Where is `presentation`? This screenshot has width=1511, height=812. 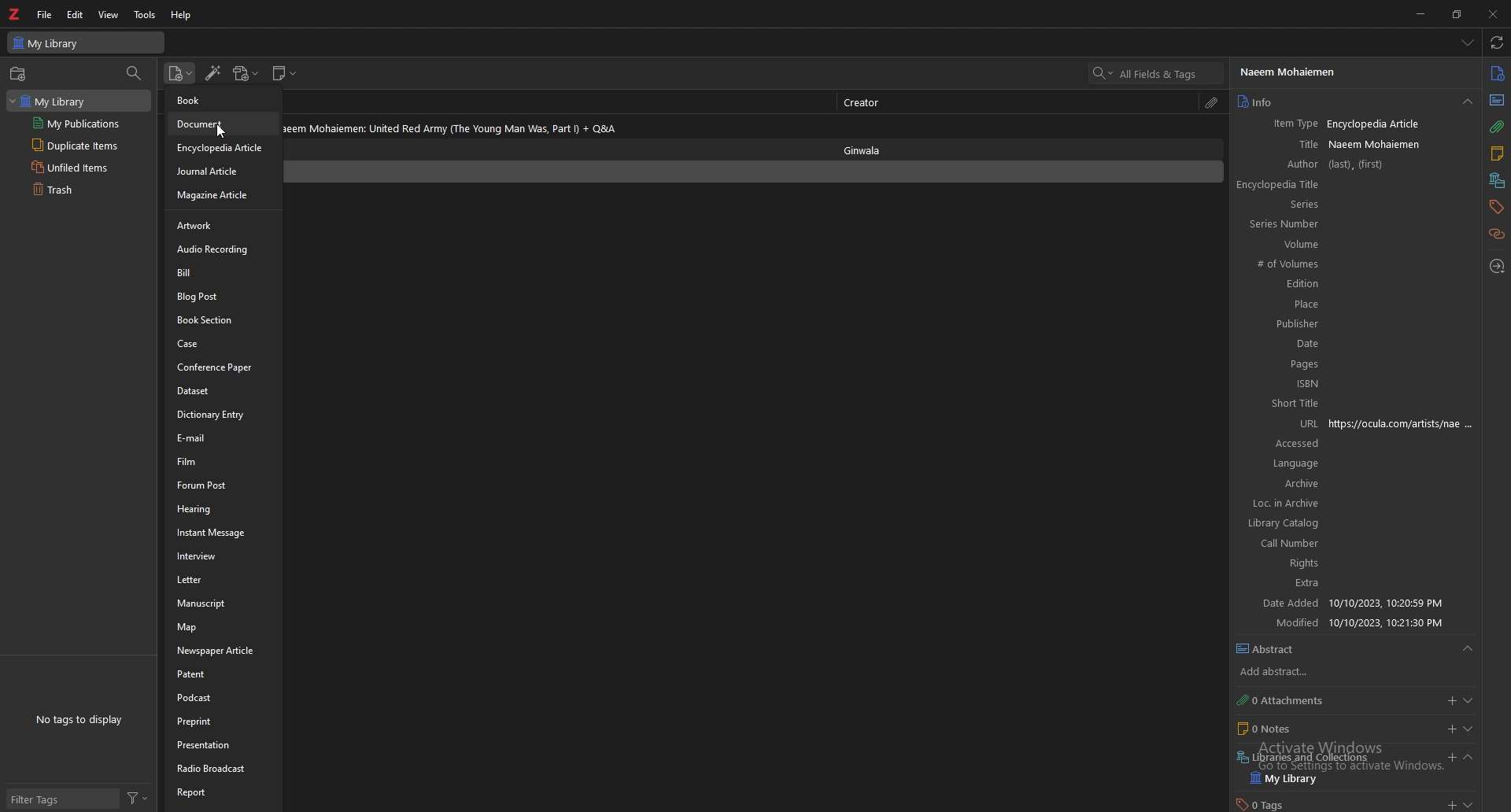 presentation is located at coordinates (222, 745).